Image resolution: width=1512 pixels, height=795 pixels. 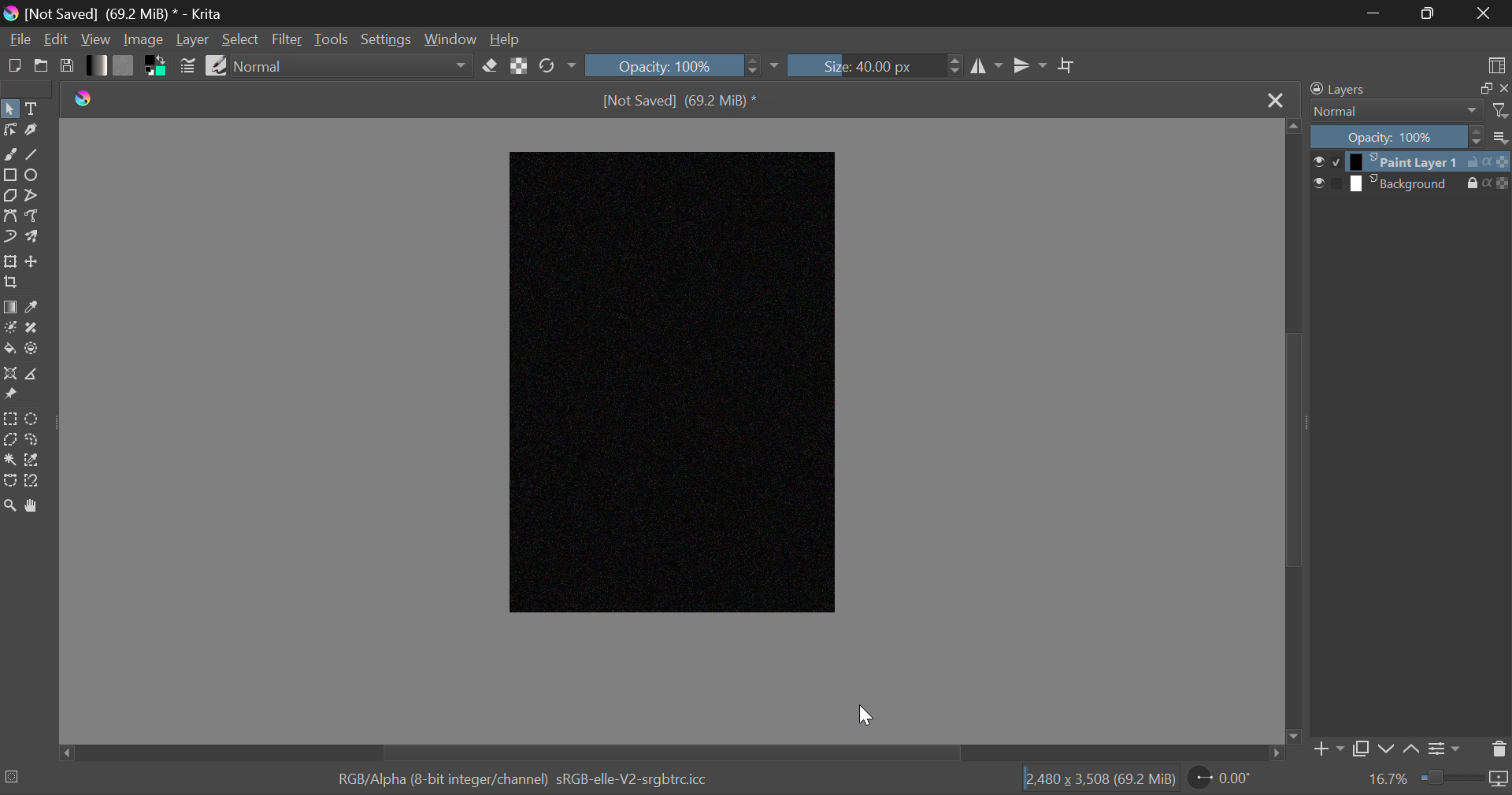 What do you see at coordinates (1379, 90) in the screenshot?
I see `Layers Docker Tab` at bounding box center [1379, 90].